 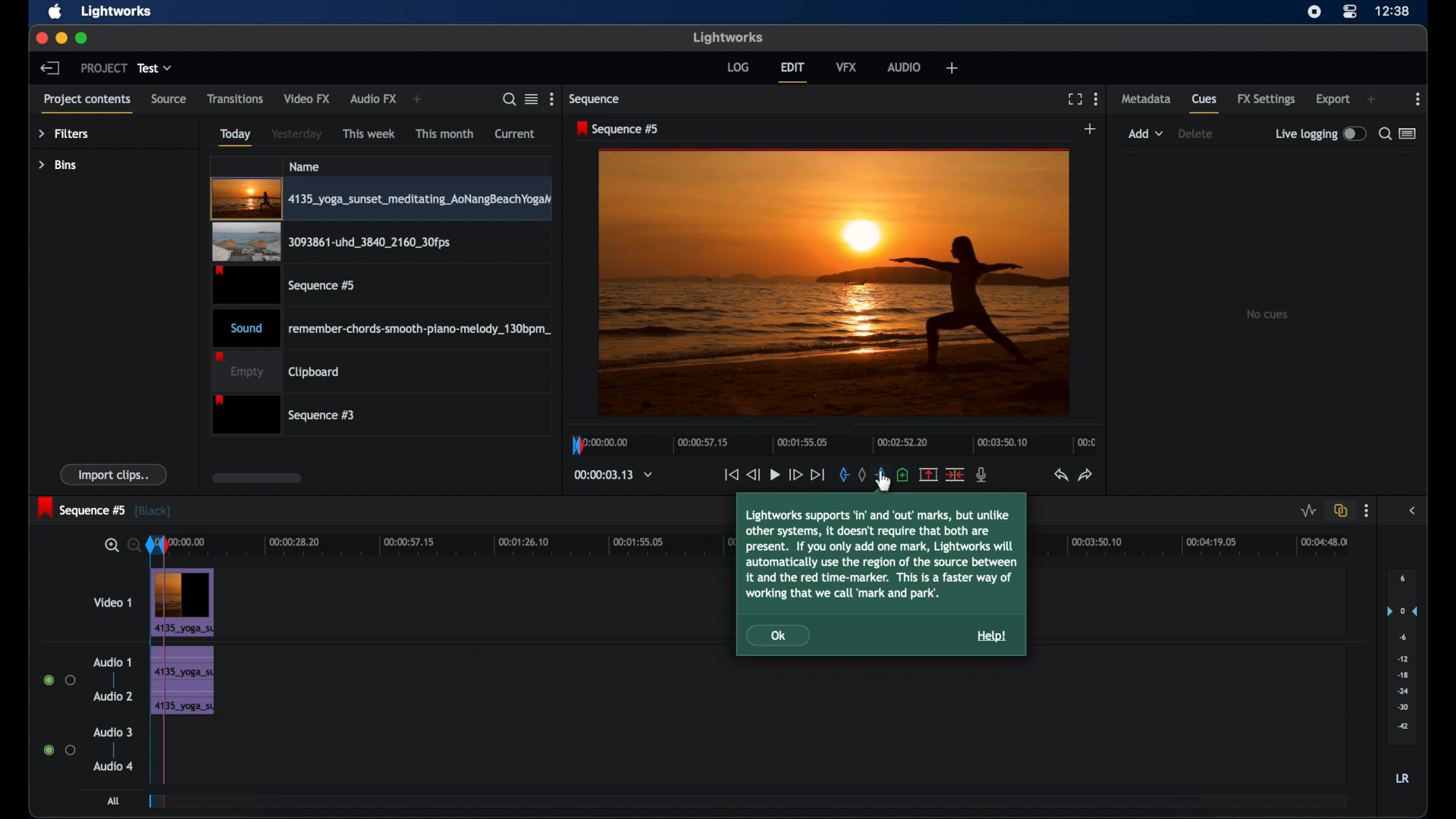 What do you see at coordinates (1146, 133) in the screenshot?
I see `add dropdown` at bounding box center [1146, 133].